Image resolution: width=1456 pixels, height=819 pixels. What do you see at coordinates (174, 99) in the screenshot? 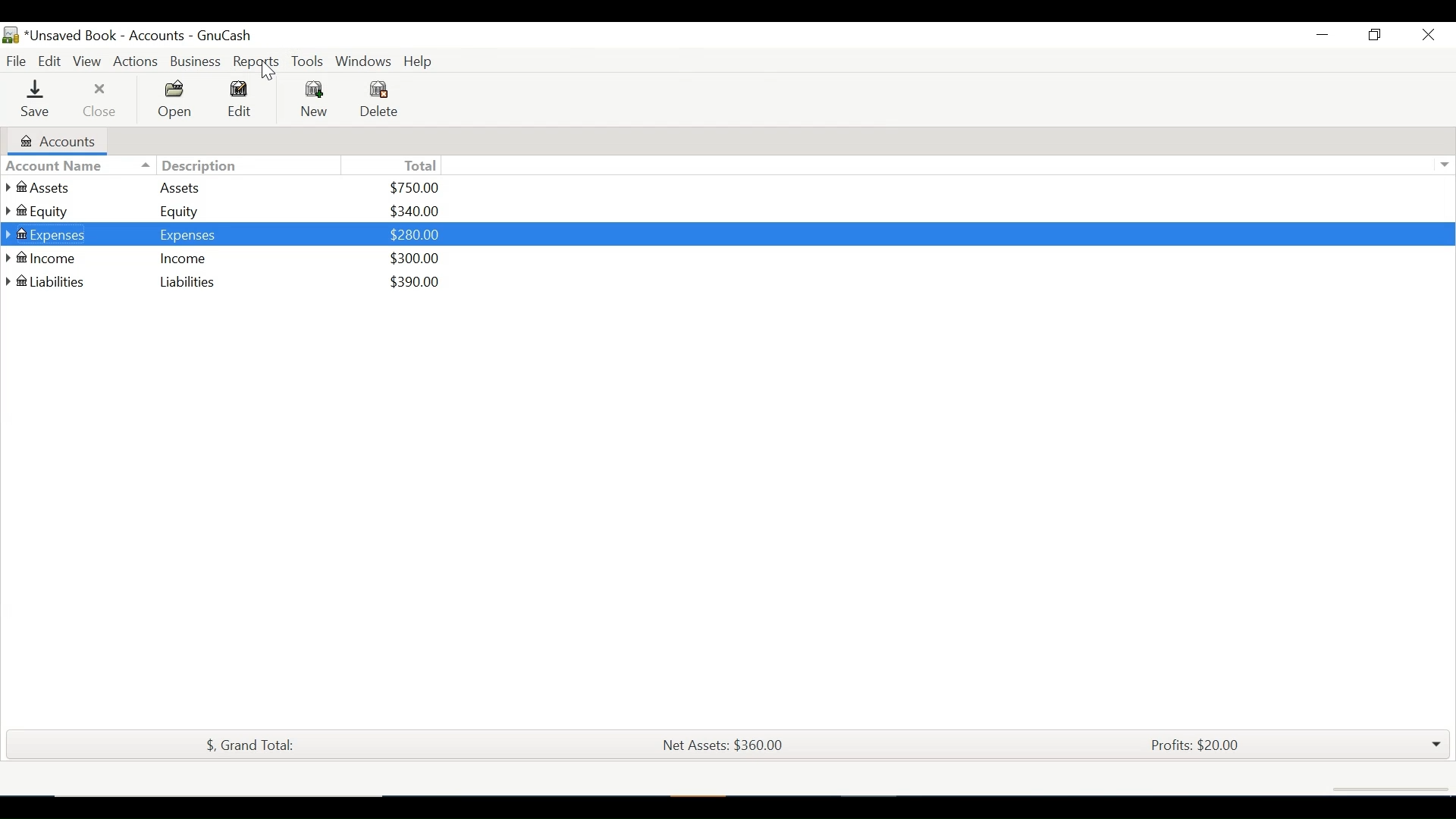
I see `Open` at bounding box center [174, 99].